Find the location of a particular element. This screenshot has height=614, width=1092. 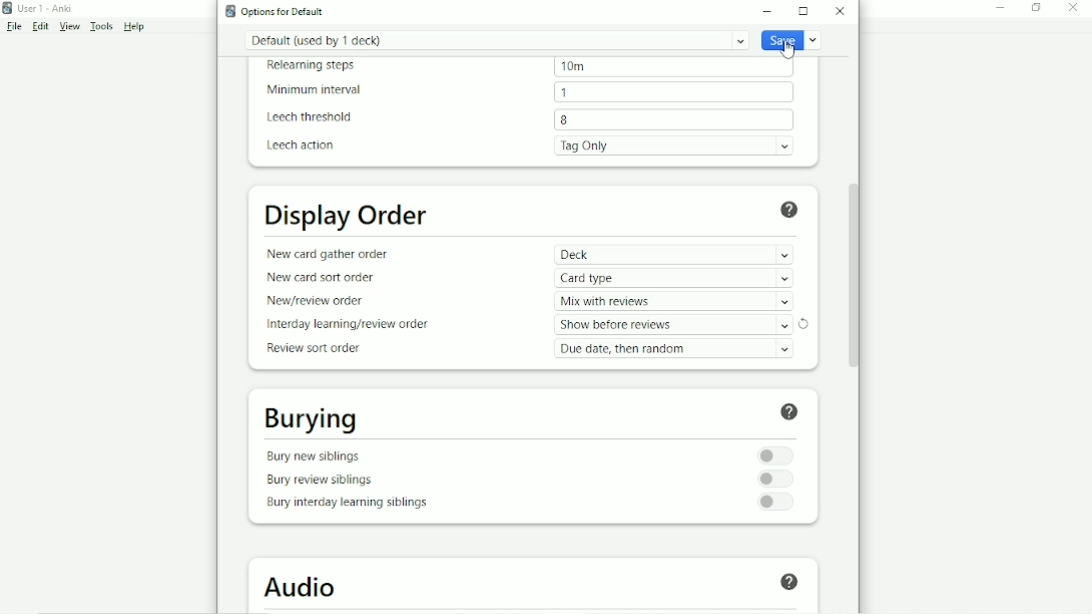

Relearning steps is located at coordinates (313, 67).